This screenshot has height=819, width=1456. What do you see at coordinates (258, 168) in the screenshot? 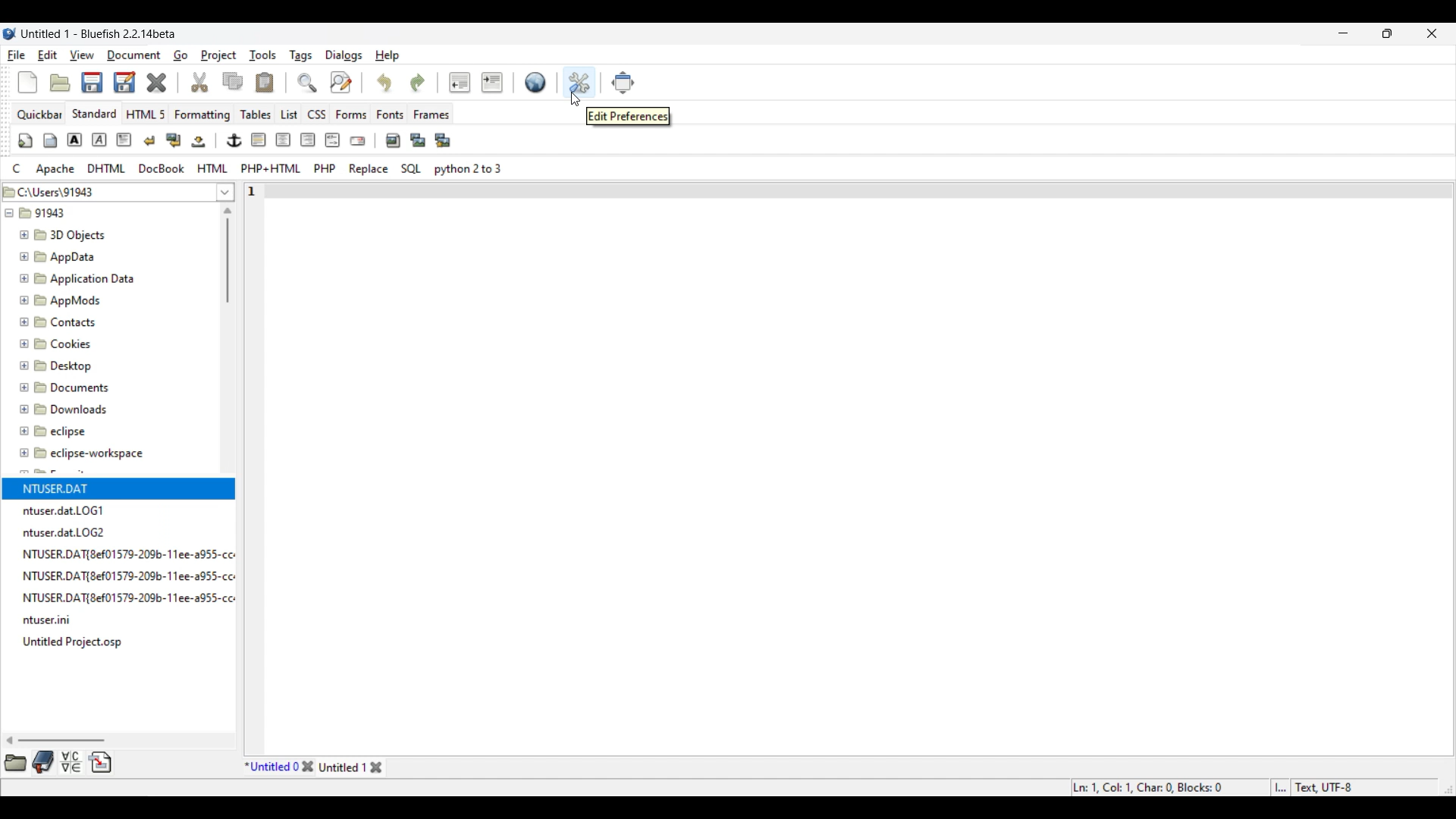
I see `Code language options` at bounding box center [258, 168].